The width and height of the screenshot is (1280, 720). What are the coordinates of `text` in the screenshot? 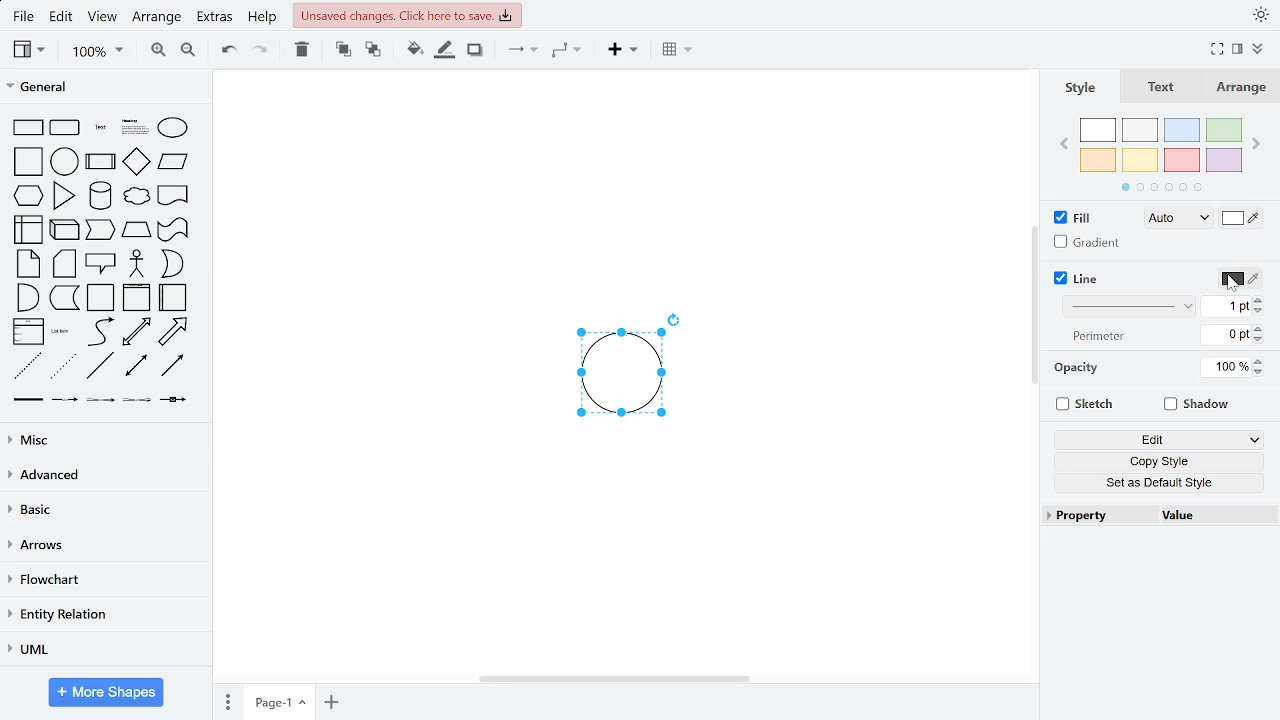 It's located at (1163, 88).